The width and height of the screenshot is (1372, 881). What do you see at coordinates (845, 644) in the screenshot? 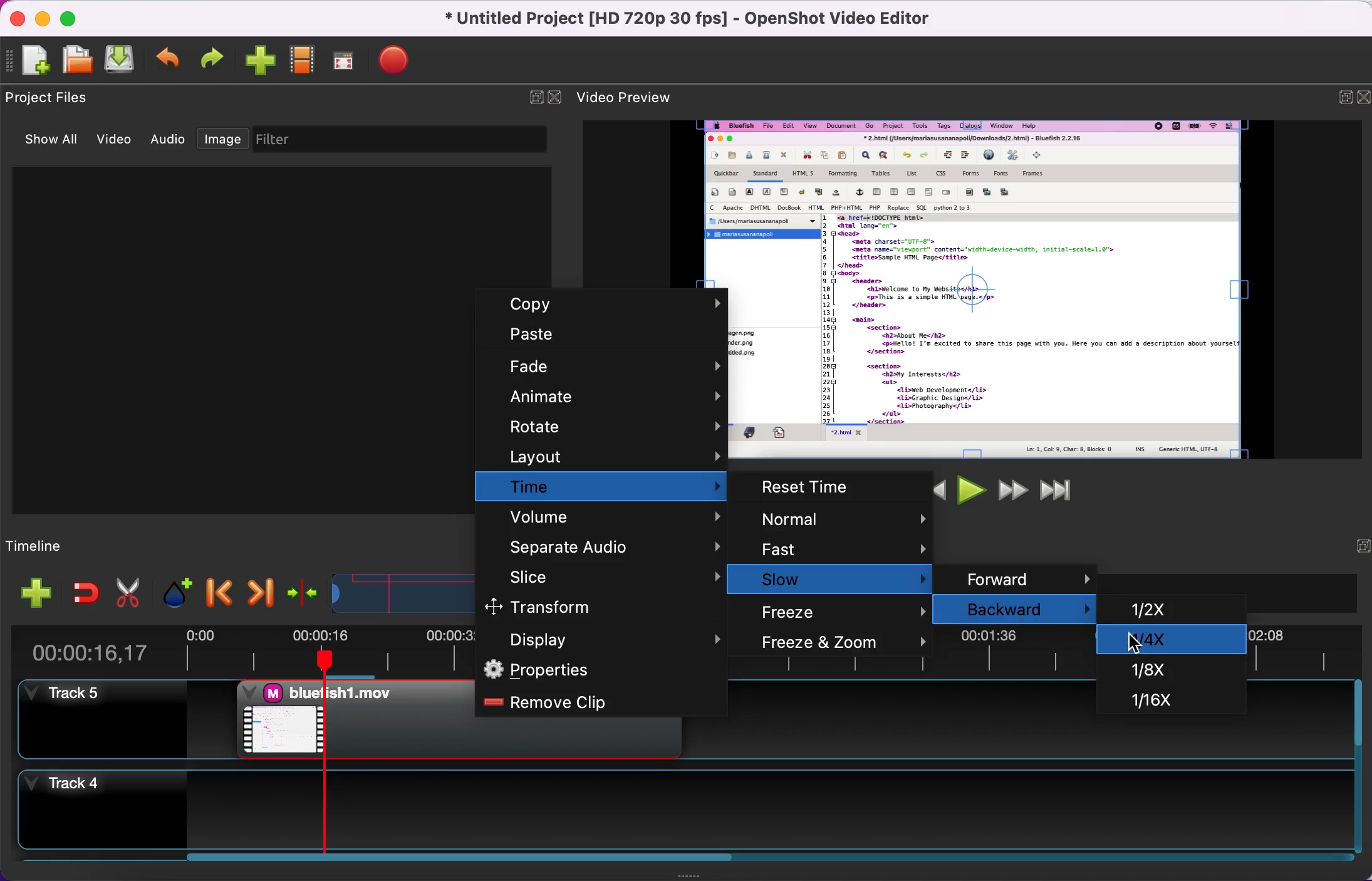
I see `freeze and zoom` at bounding box center [845, 644].